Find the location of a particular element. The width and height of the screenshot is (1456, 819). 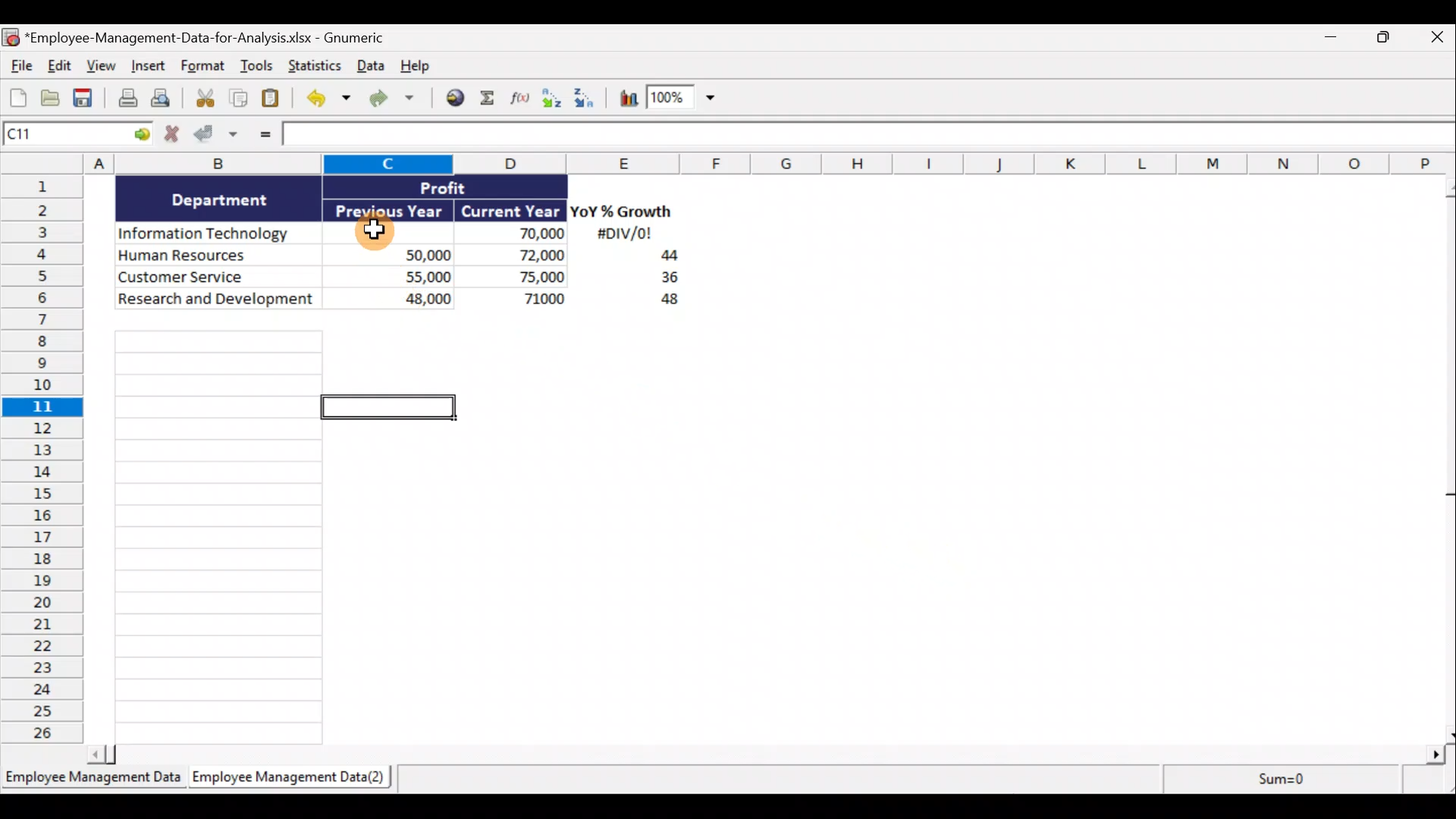

Profit is located at coordinates (468, 187).